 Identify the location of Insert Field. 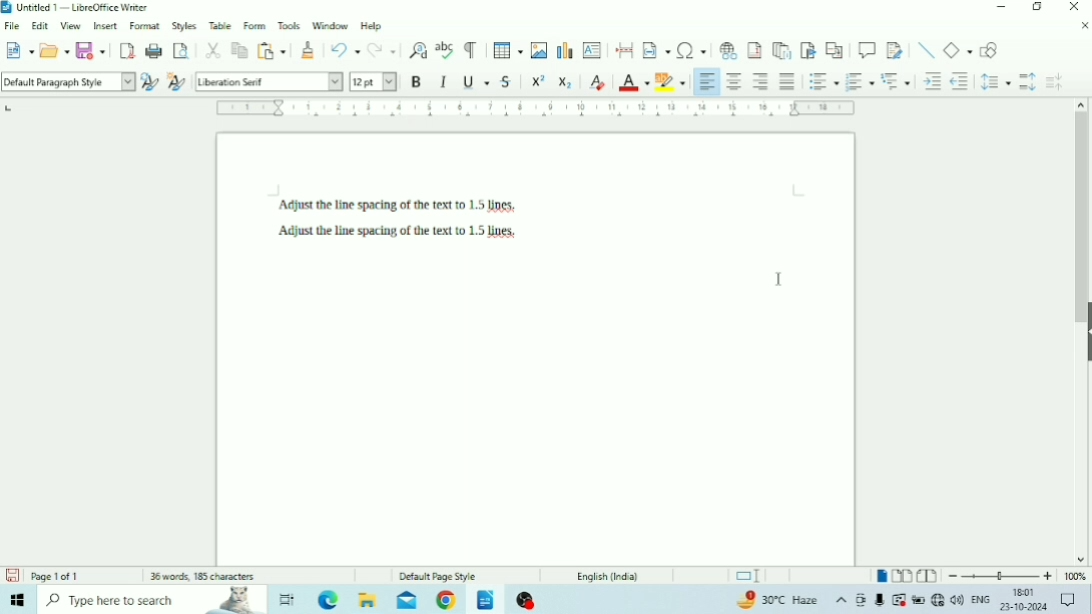
(656, 49).